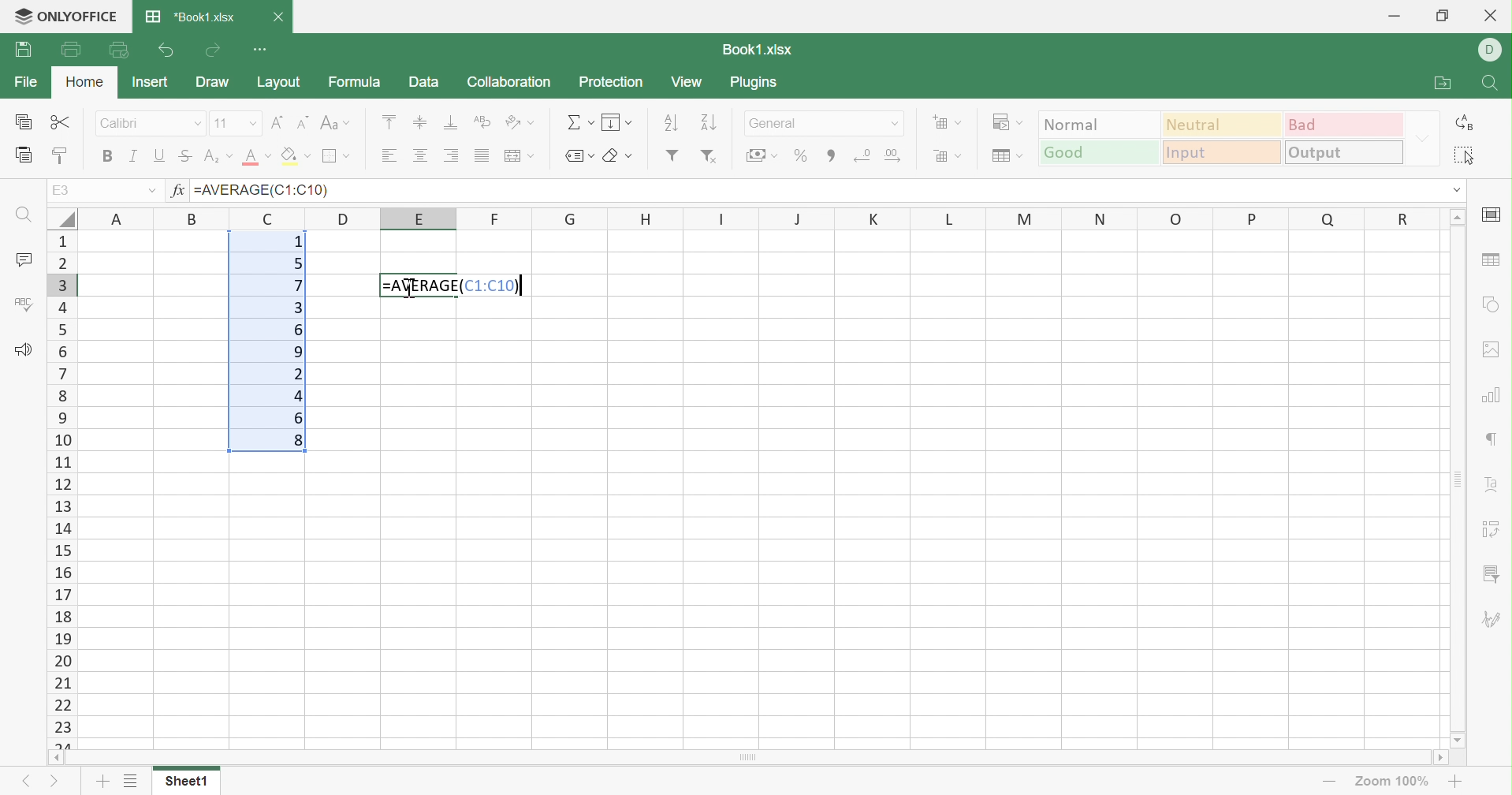  What do you see at coordinates (515, 82) in the screenshot?
I see `Collaboration` at bounding box center [515, 82].